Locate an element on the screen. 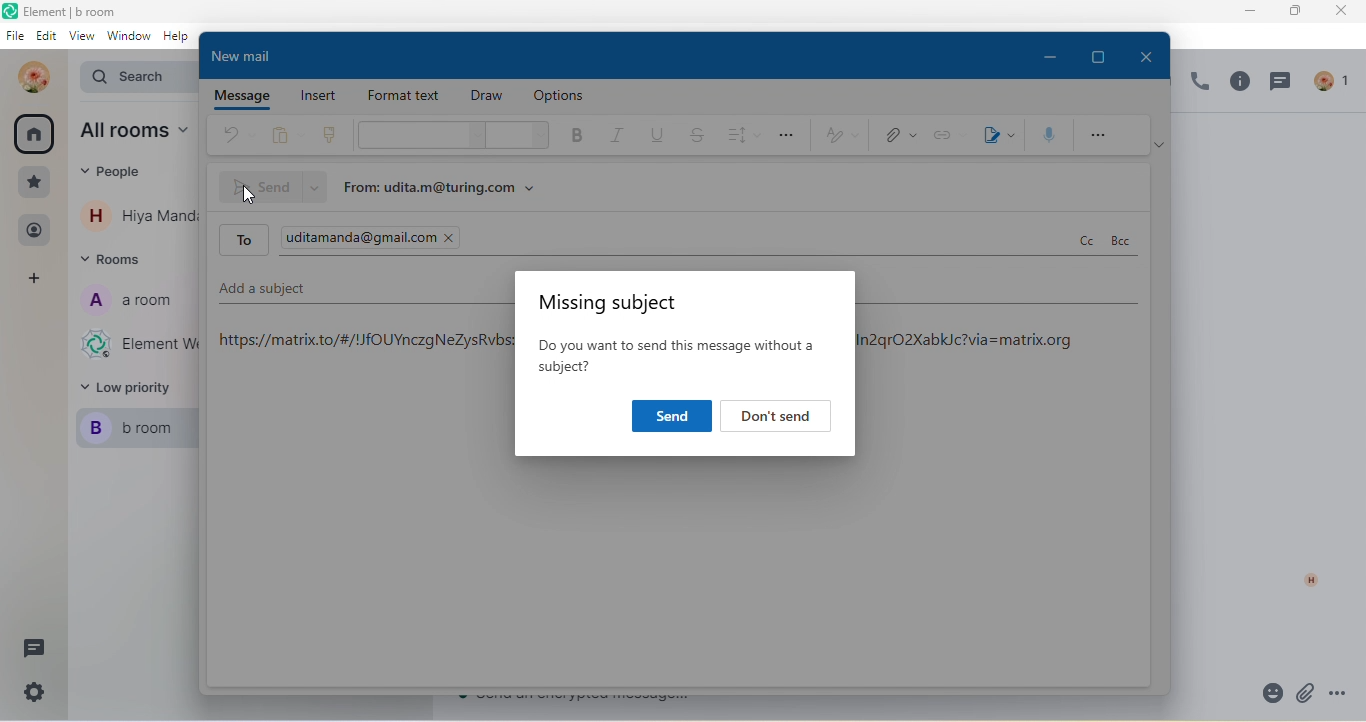  undo is located at coordinates (238, 136).